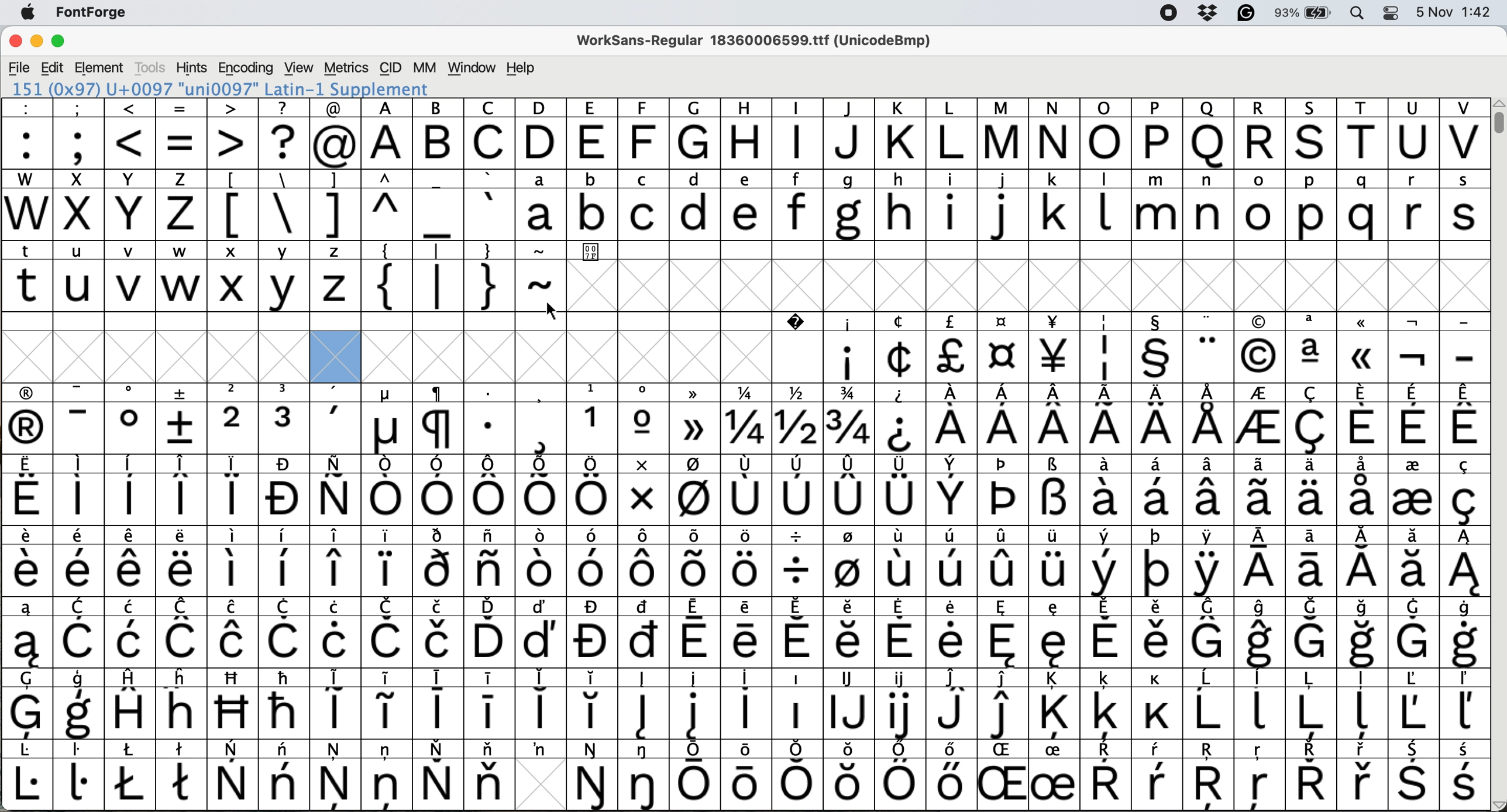 This screenshot has height=812, width=1507. Describe the element at coordinates (1260, 563) in the screenshot. I see `symbol` at that location.